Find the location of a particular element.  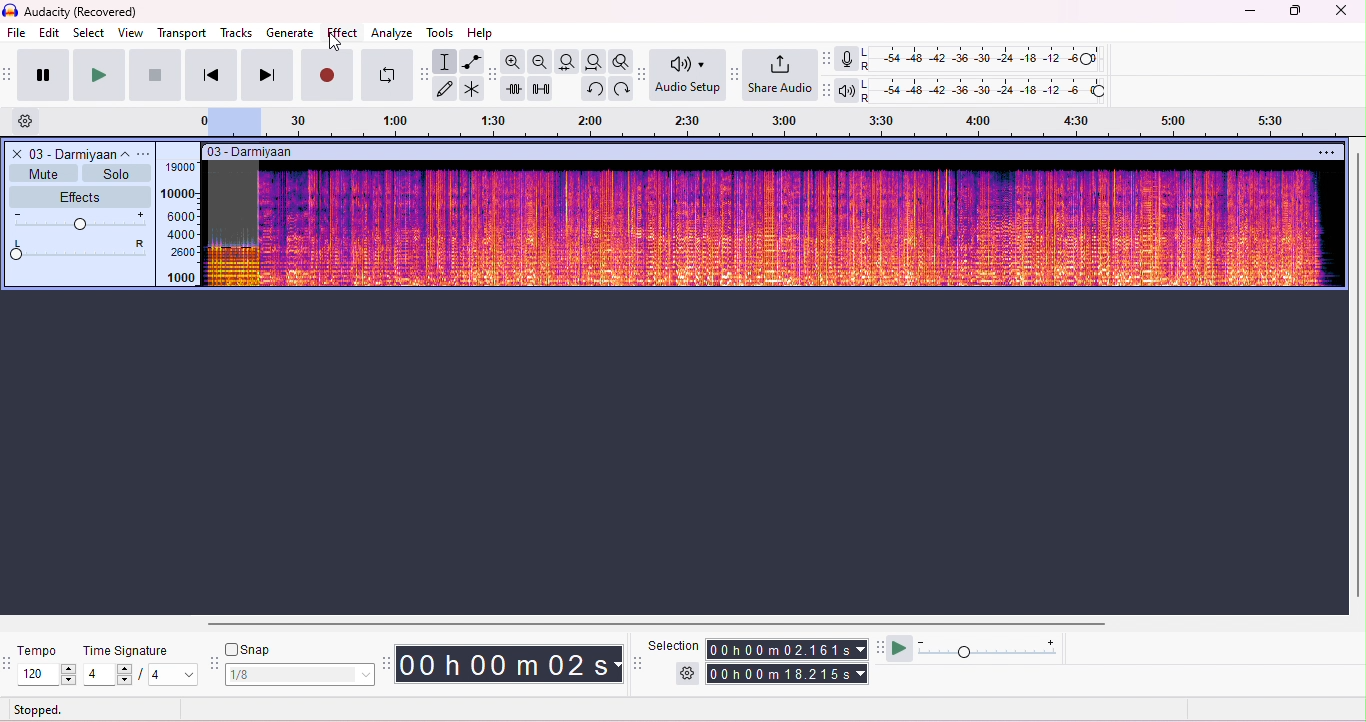

previous is located at coordinates (211, 75).